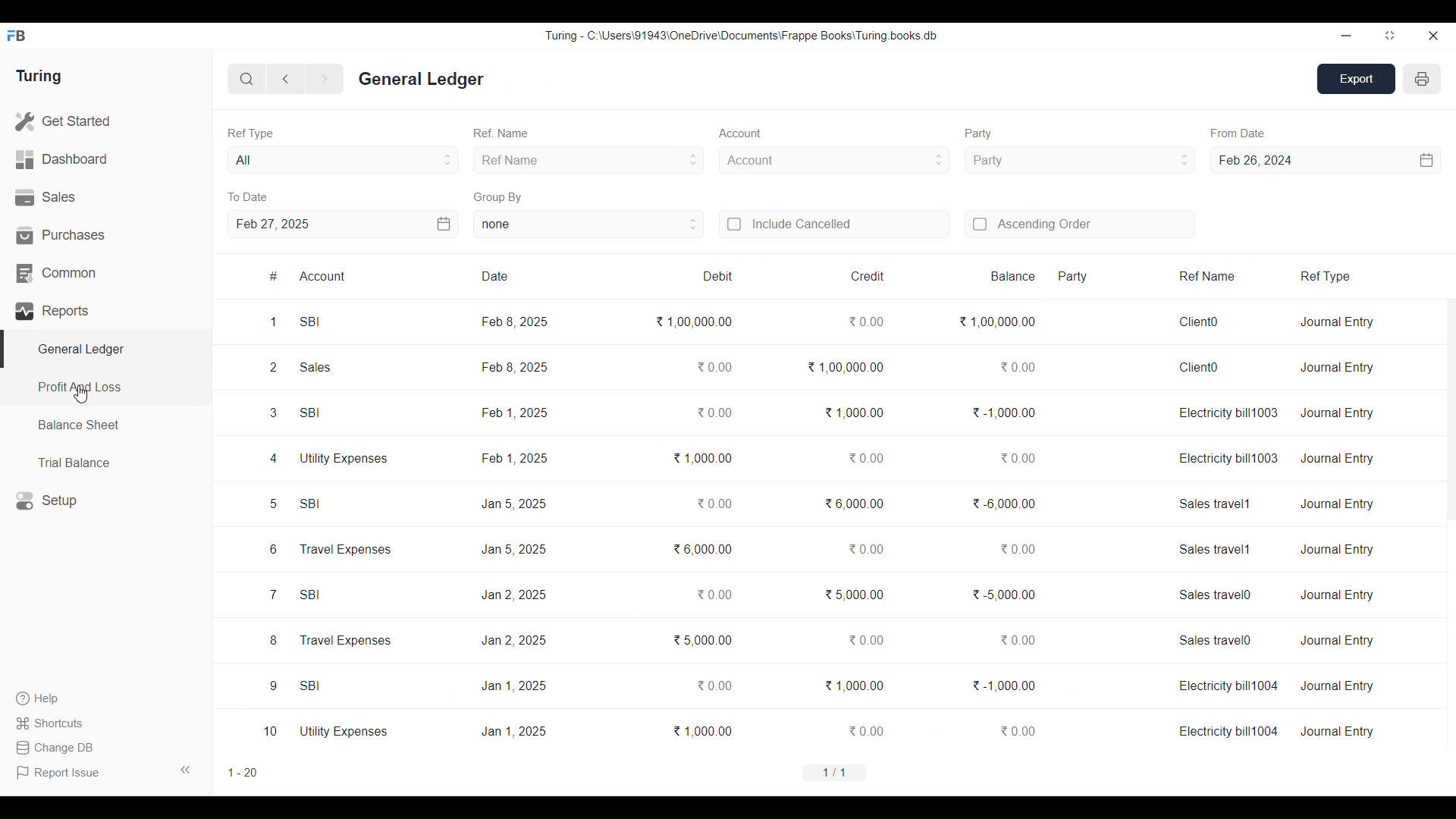 The image size is (1456, 819). Describe the element at coordinates (713, 367) in the screenshot. I see `0.00` at that location.